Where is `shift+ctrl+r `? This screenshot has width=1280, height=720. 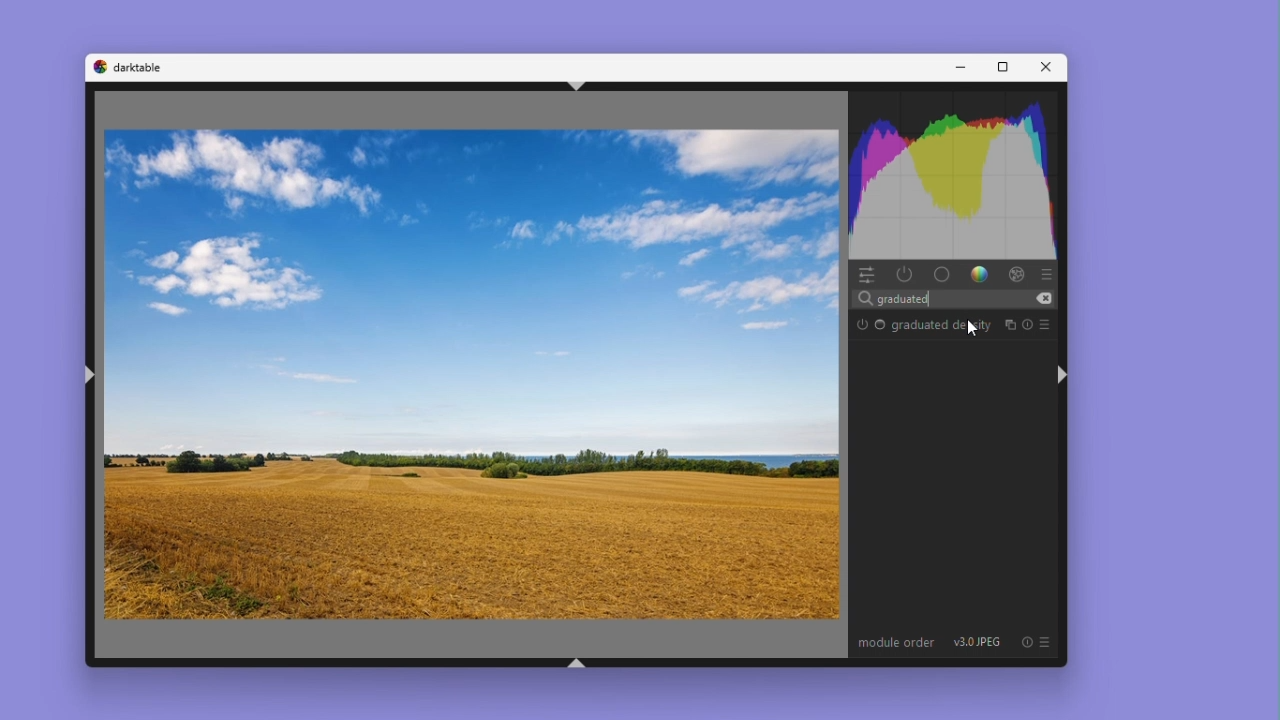
shift+ctrl+r  is located at coordinates (1064, 374).